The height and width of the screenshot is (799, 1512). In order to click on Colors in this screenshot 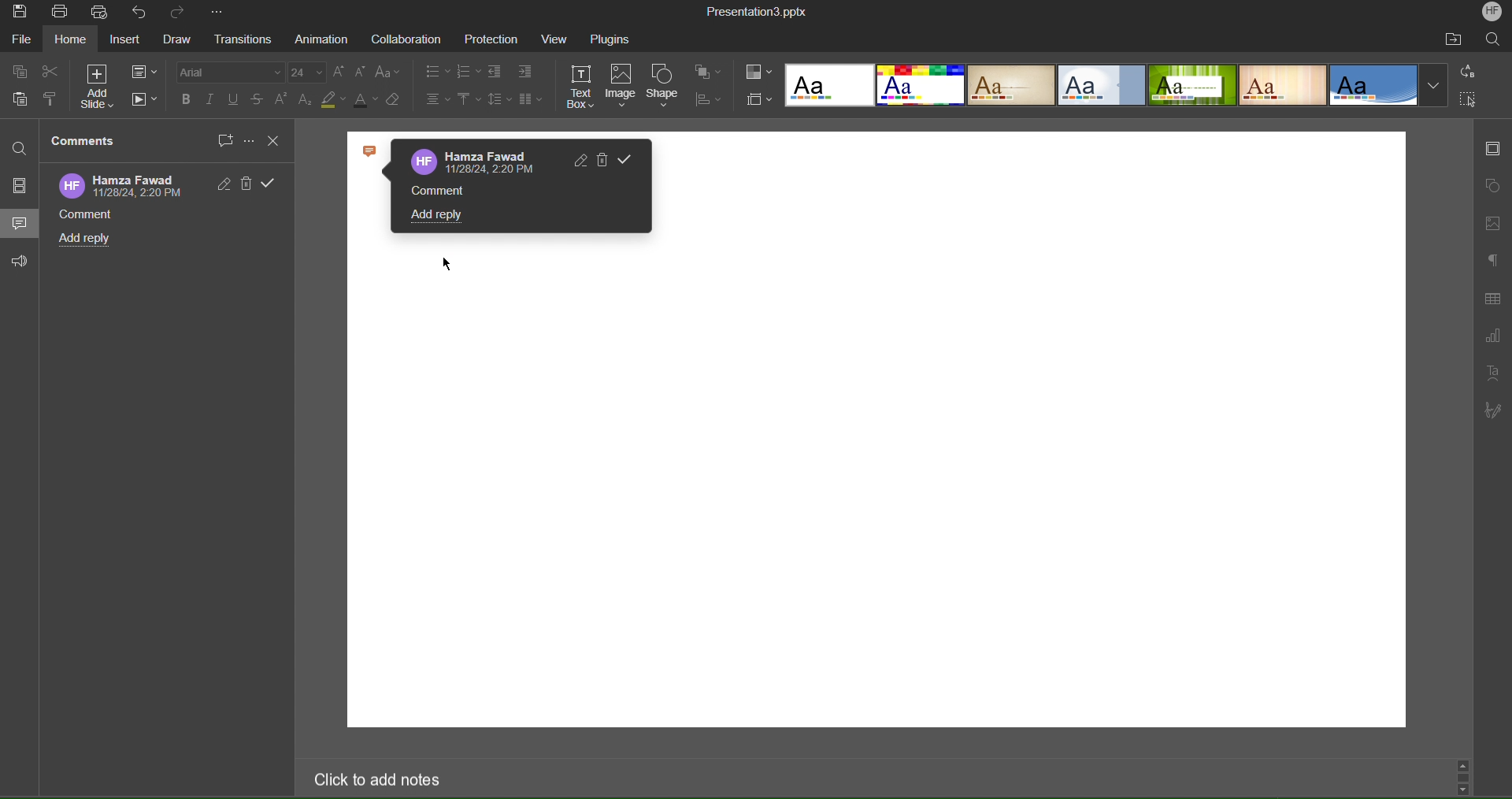, I will do `click(758, 72)`.